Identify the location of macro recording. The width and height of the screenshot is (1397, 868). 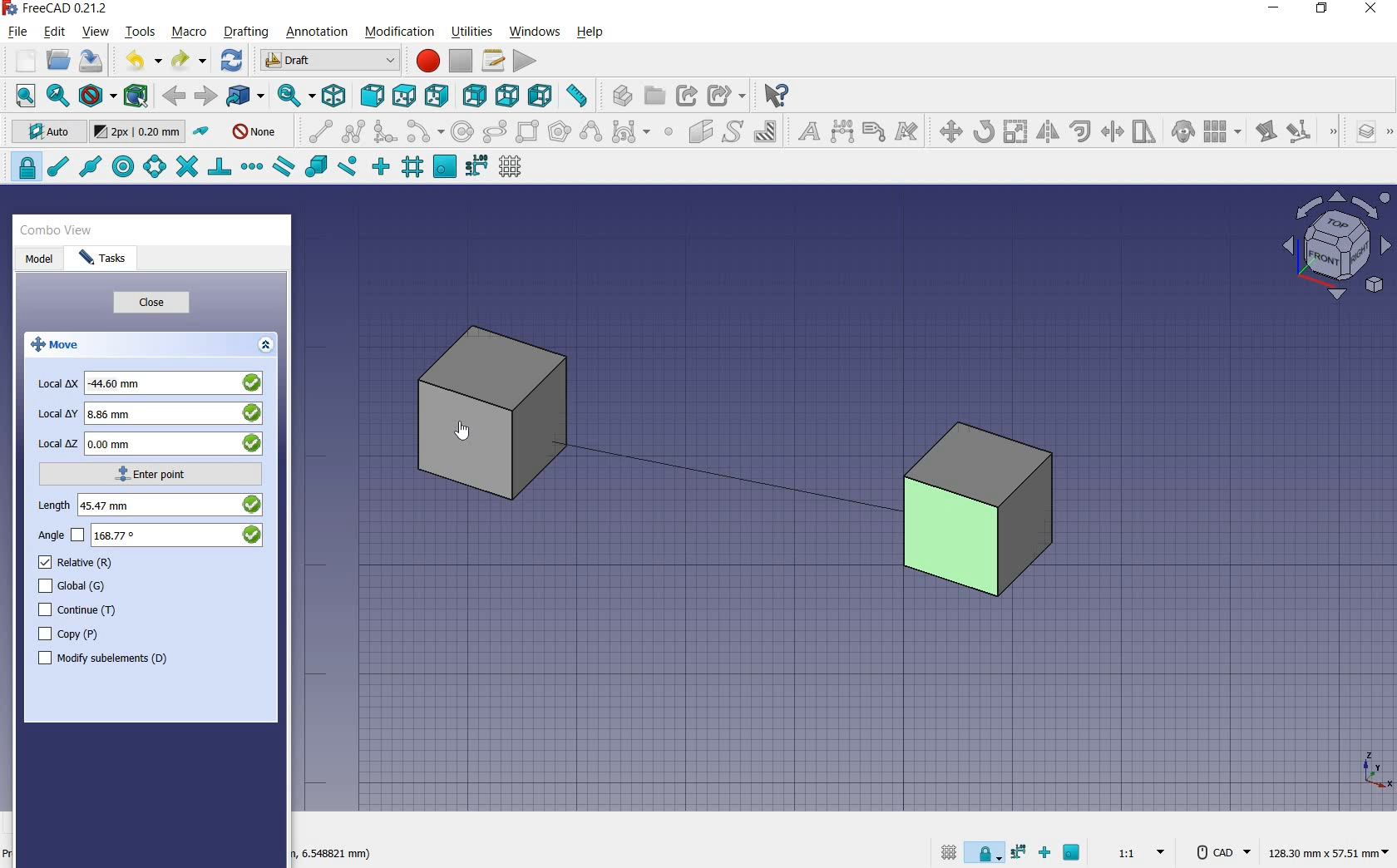
(427, 62).